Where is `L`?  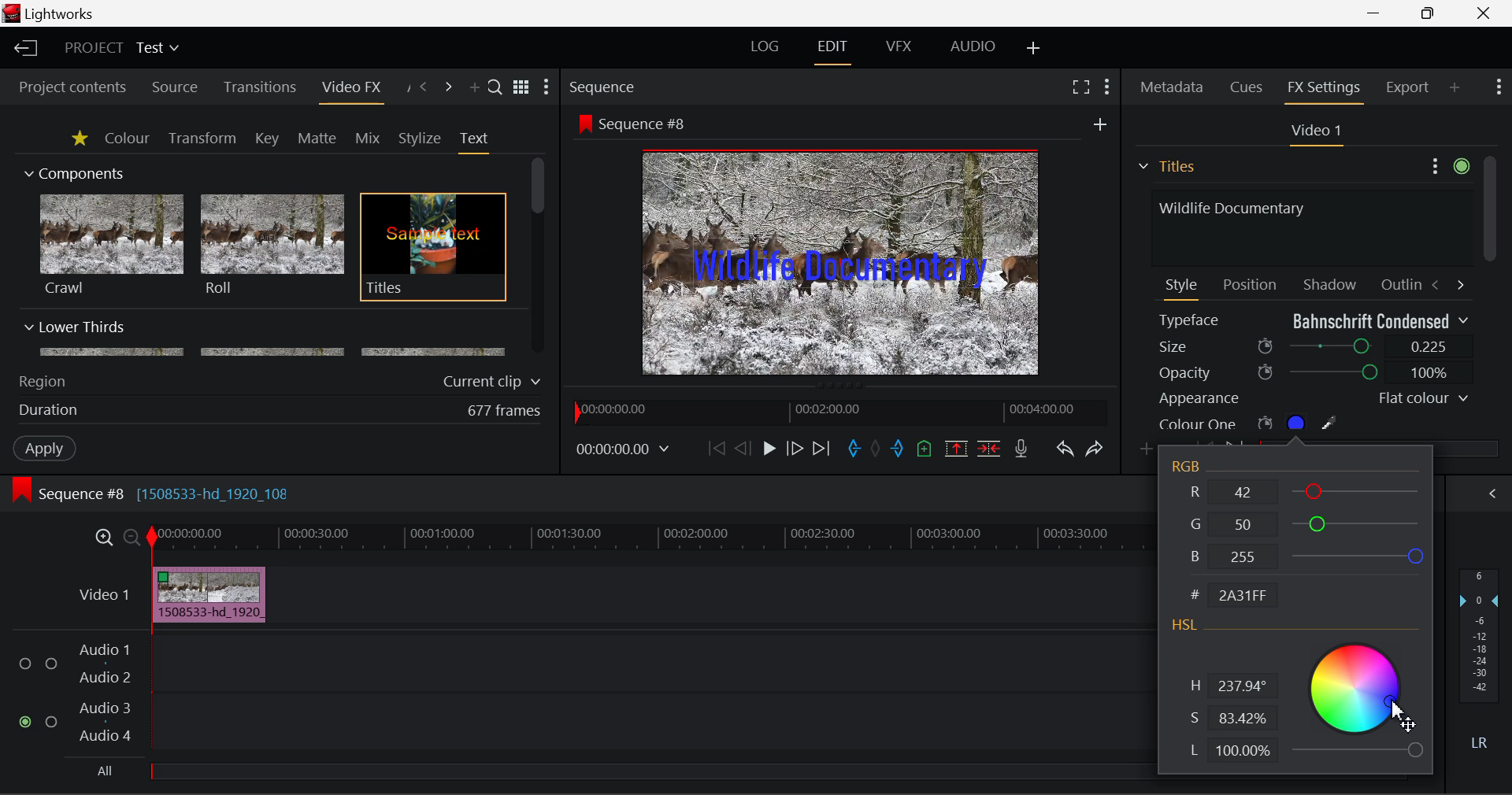
L is located at coordinates (1230, 752).